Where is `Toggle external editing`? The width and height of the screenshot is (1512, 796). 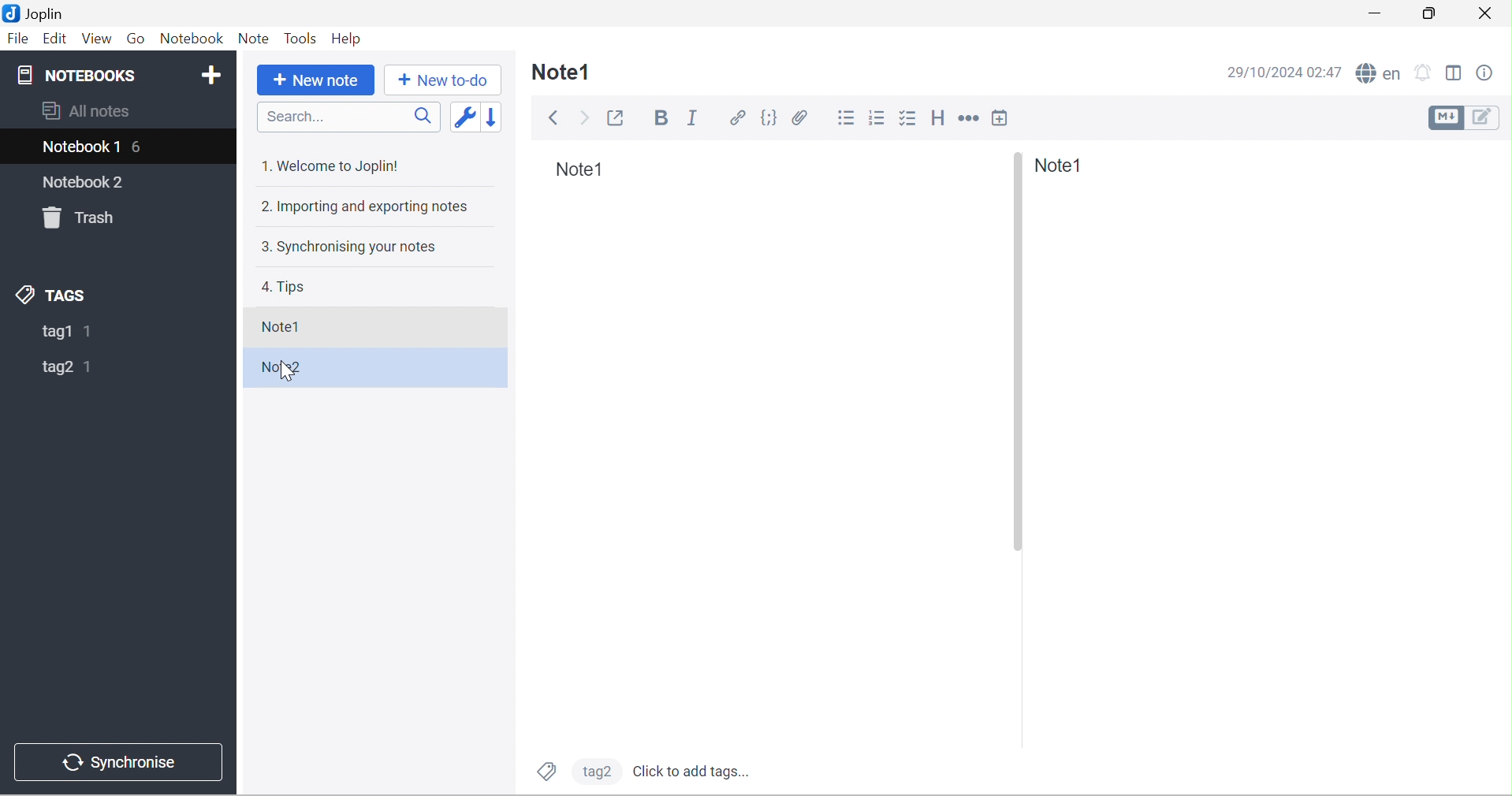
Toggle external editing is located at coordinates (616, 117).